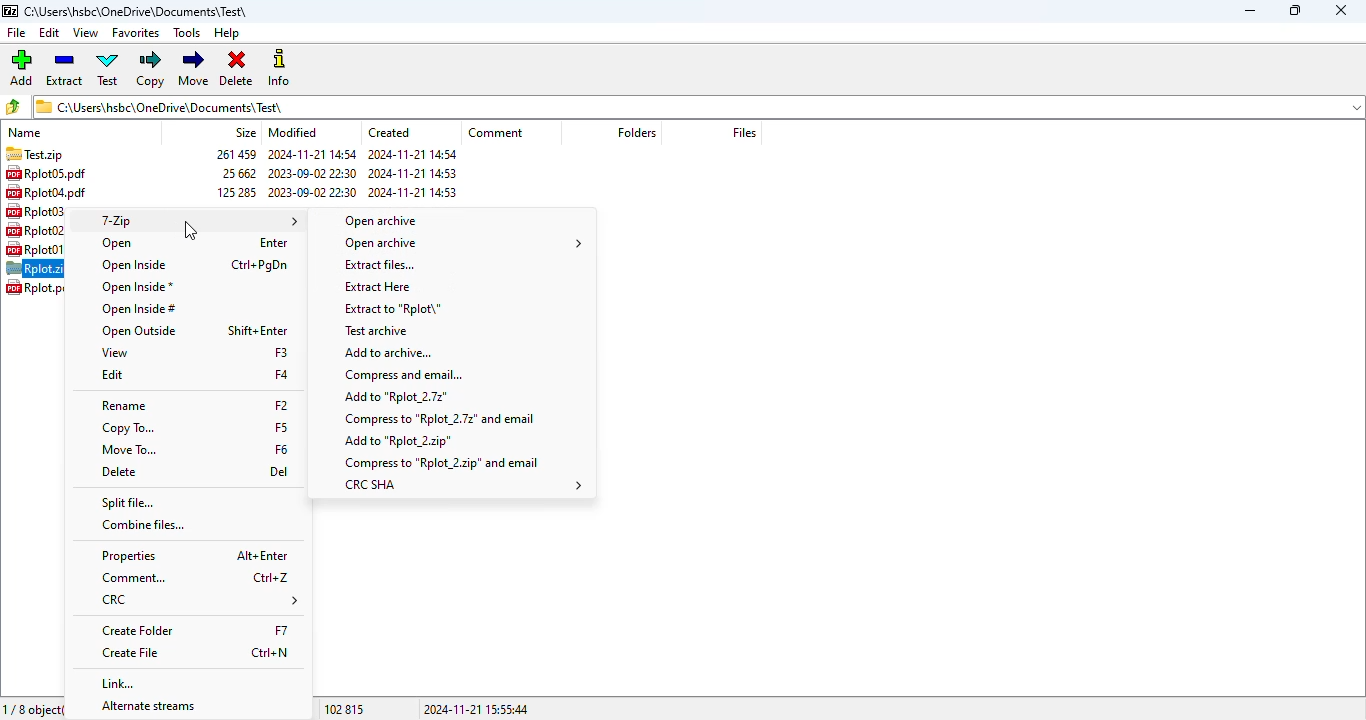  Describe the element at coordinates (271, 577) in the screenshot. I see `shortcut for comment` at that location.